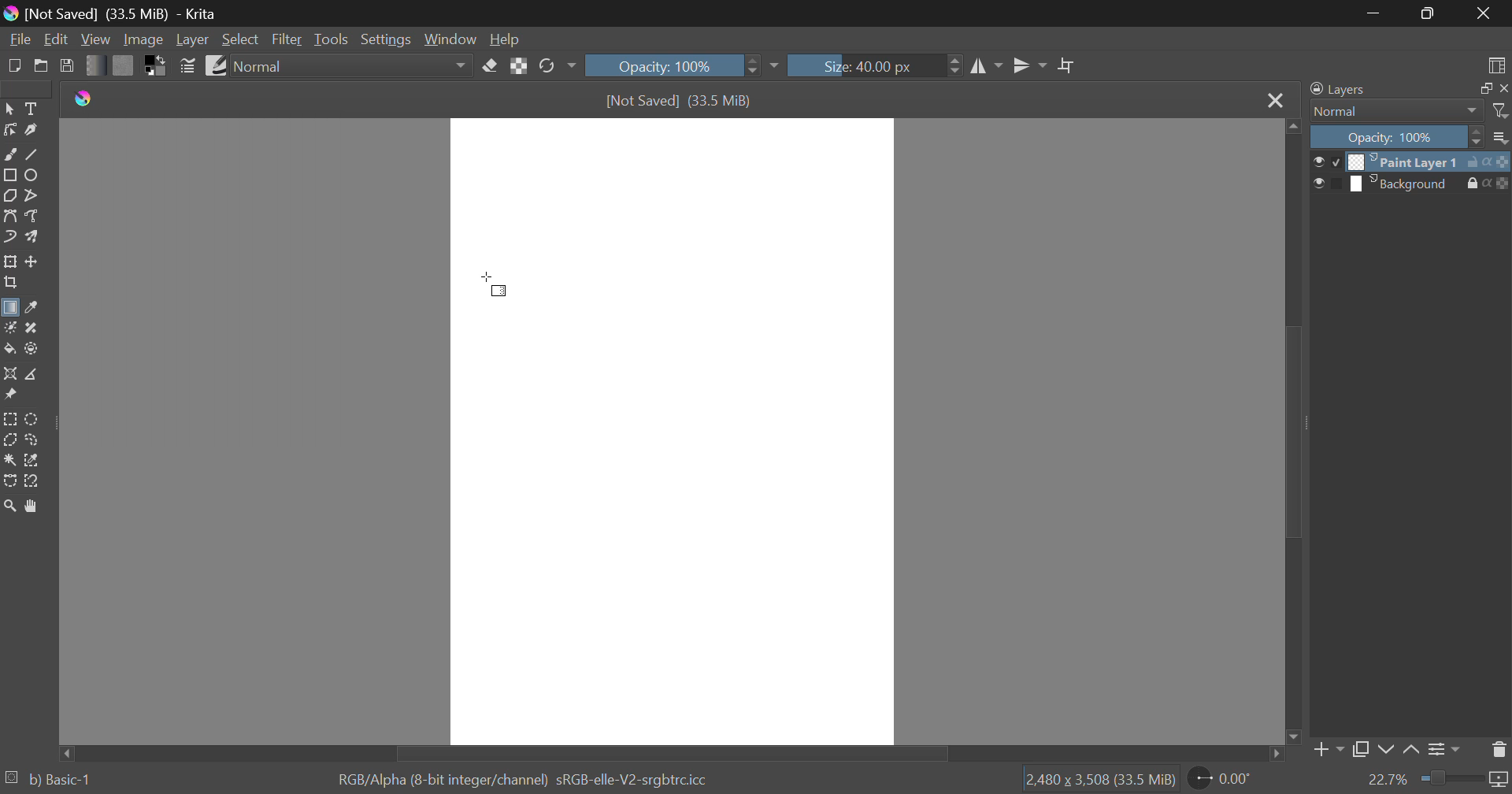 Image resolution: width=1512 pixels, height=794 pixels. Describe the element at coordinates (32, 440) in the screenshot. I see `Freehand Selection` at that location.